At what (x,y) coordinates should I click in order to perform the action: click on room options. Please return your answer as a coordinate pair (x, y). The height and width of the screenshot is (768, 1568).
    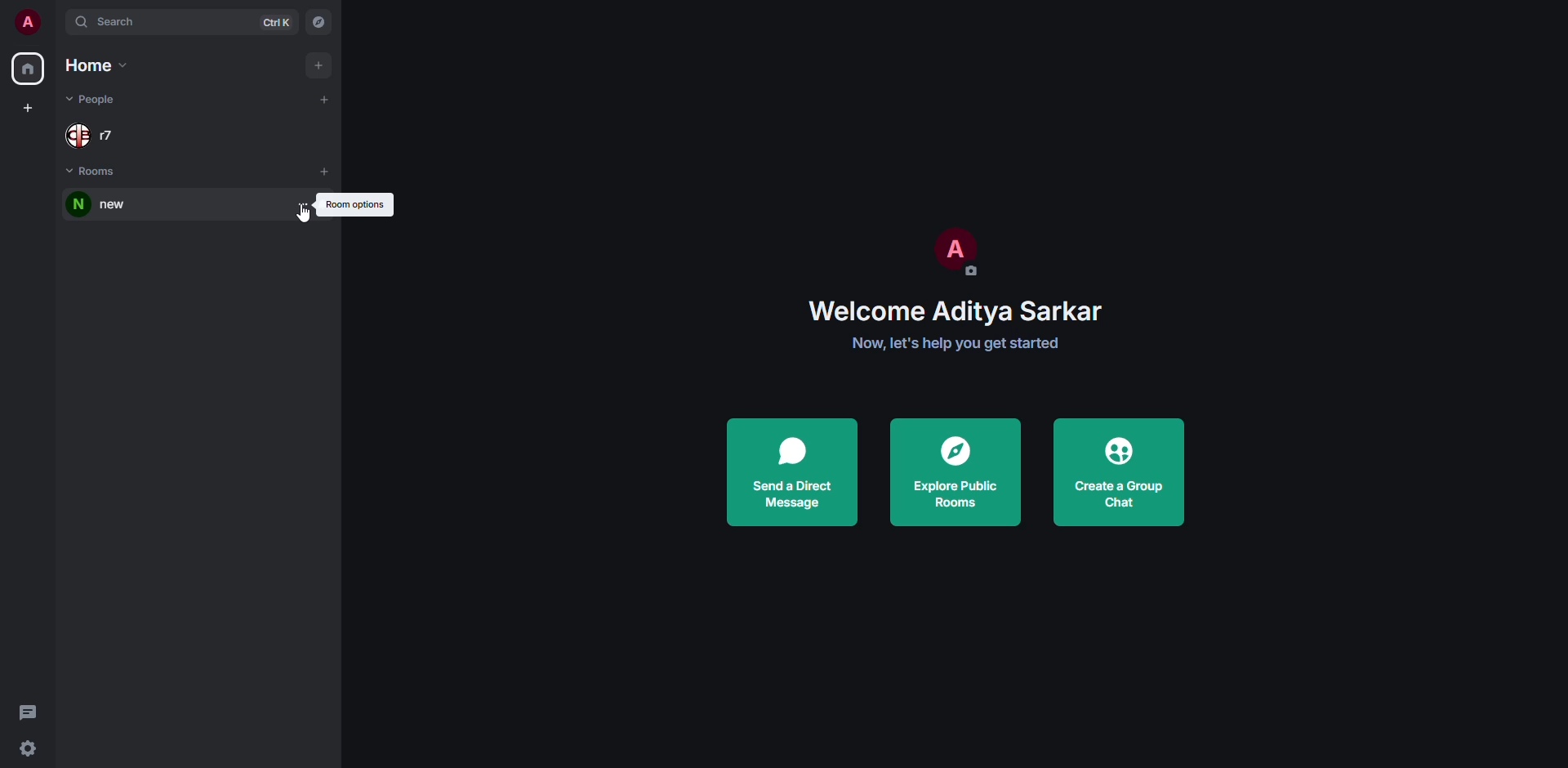
    Looking at the image, I should click on (304, 204).